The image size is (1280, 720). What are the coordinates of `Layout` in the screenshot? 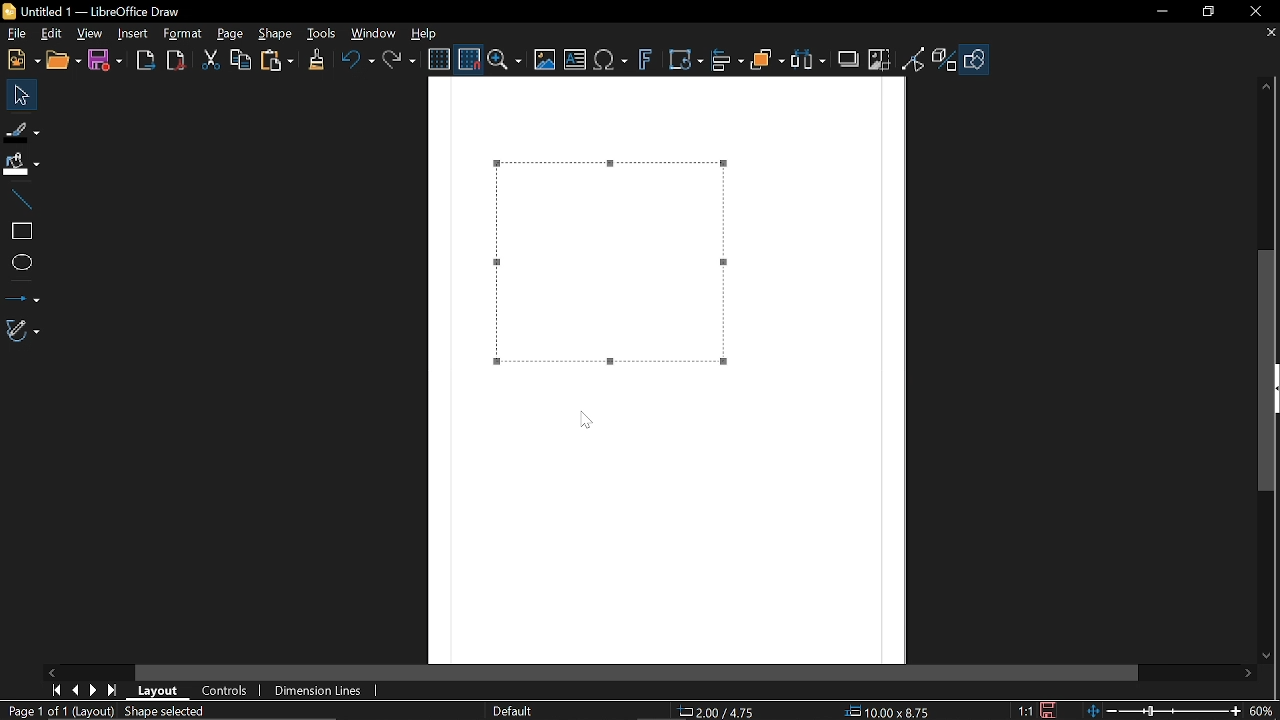 It's located at (162, 691).